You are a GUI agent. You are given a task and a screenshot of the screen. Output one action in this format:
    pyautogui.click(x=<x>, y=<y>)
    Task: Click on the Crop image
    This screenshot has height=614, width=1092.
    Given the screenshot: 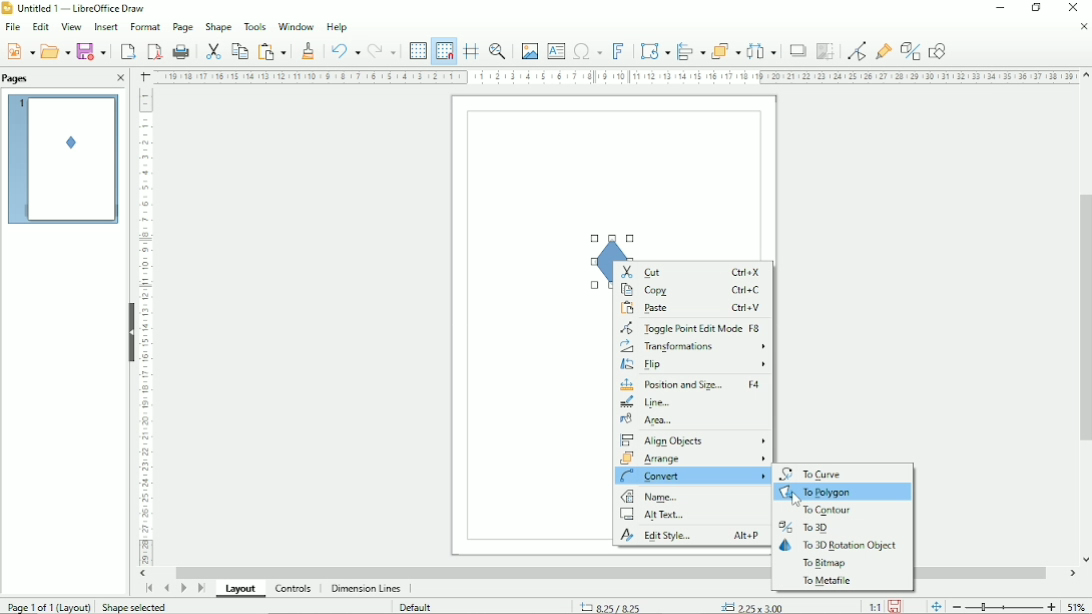 What is the action you would take?
    pyautogui.click(x=824, y=52)
    